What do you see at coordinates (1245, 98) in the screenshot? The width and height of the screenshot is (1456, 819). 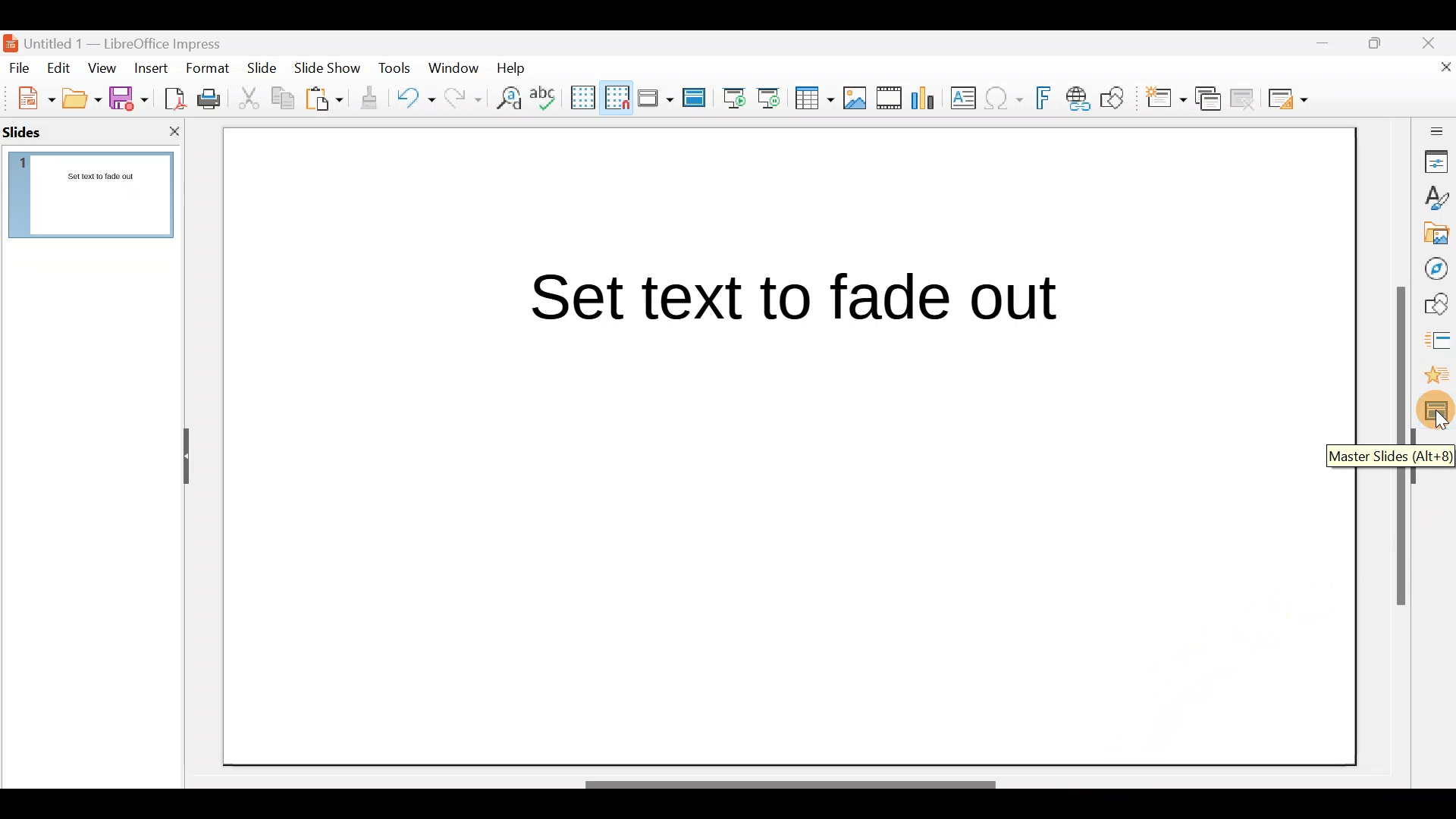 I see `Delete slide` at bounding box center [1245, 98].